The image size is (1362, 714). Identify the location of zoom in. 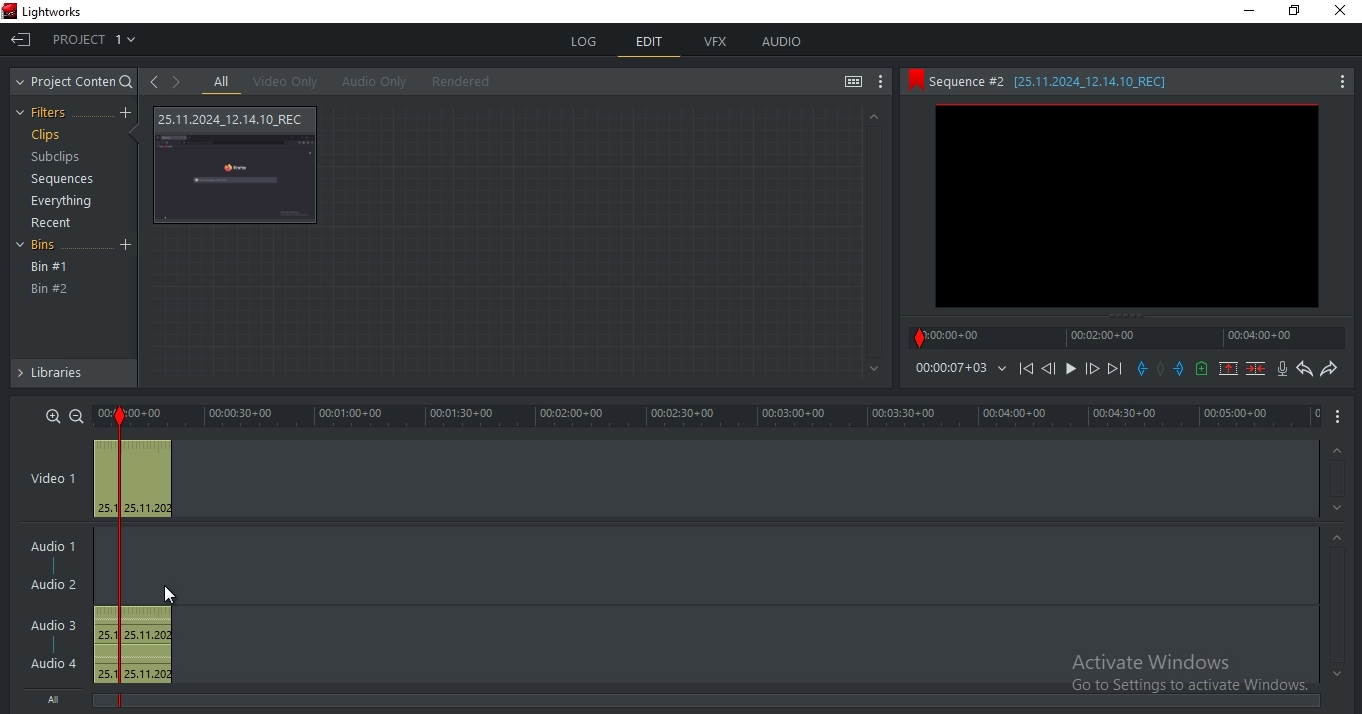
(54, 415).